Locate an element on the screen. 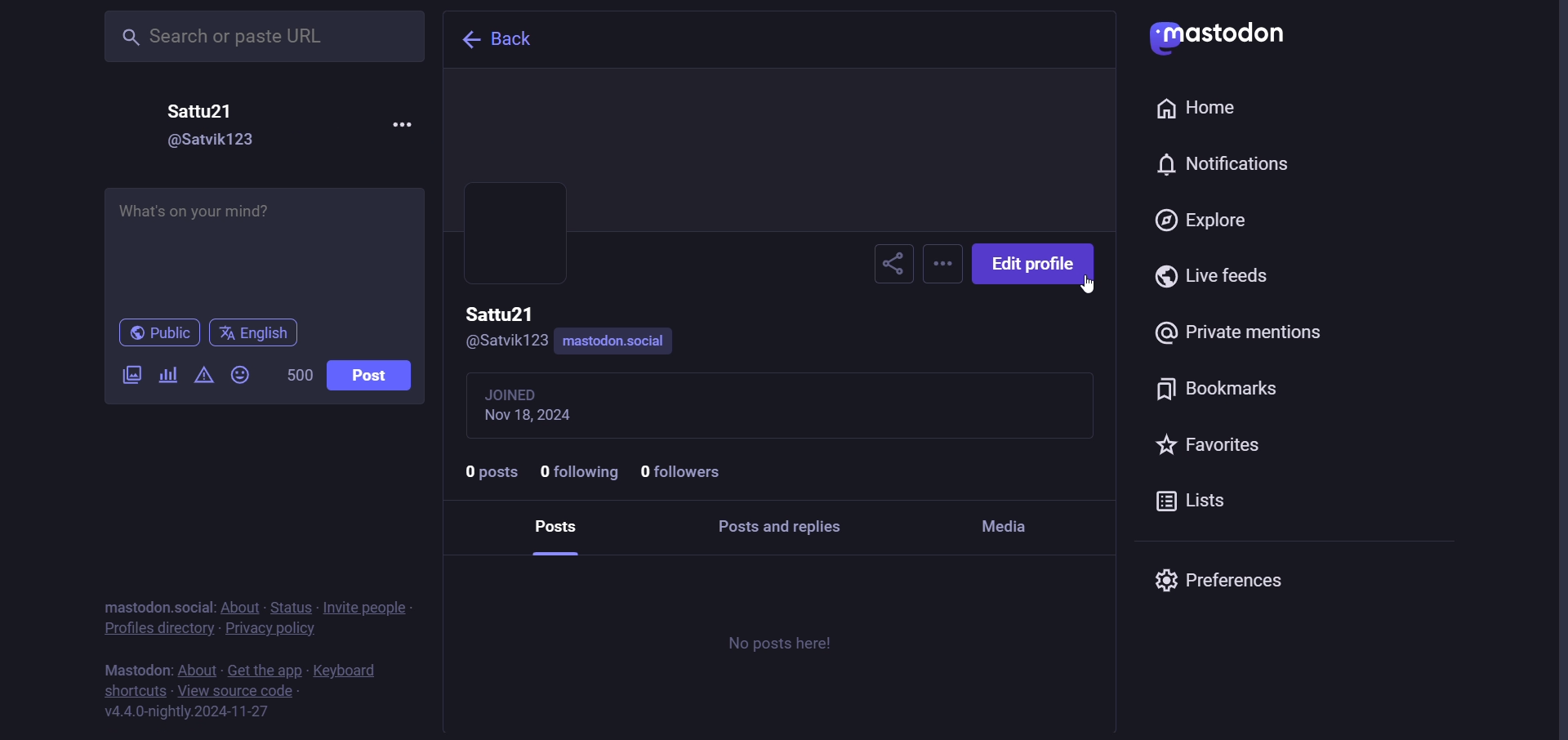 The width and height of the screenshot is (1568, 740). bookmarks is located at coordinates (1216, 392).